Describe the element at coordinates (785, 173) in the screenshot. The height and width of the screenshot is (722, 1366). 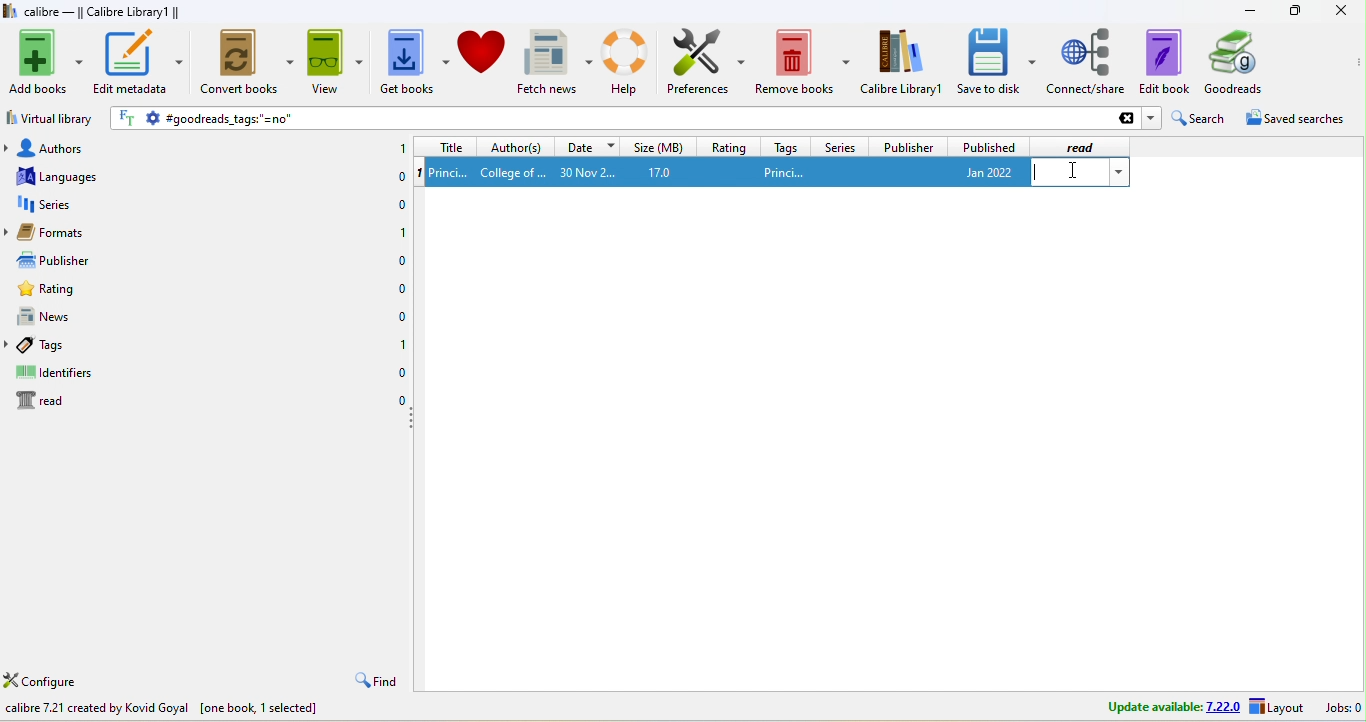
I see `princi` at that location.